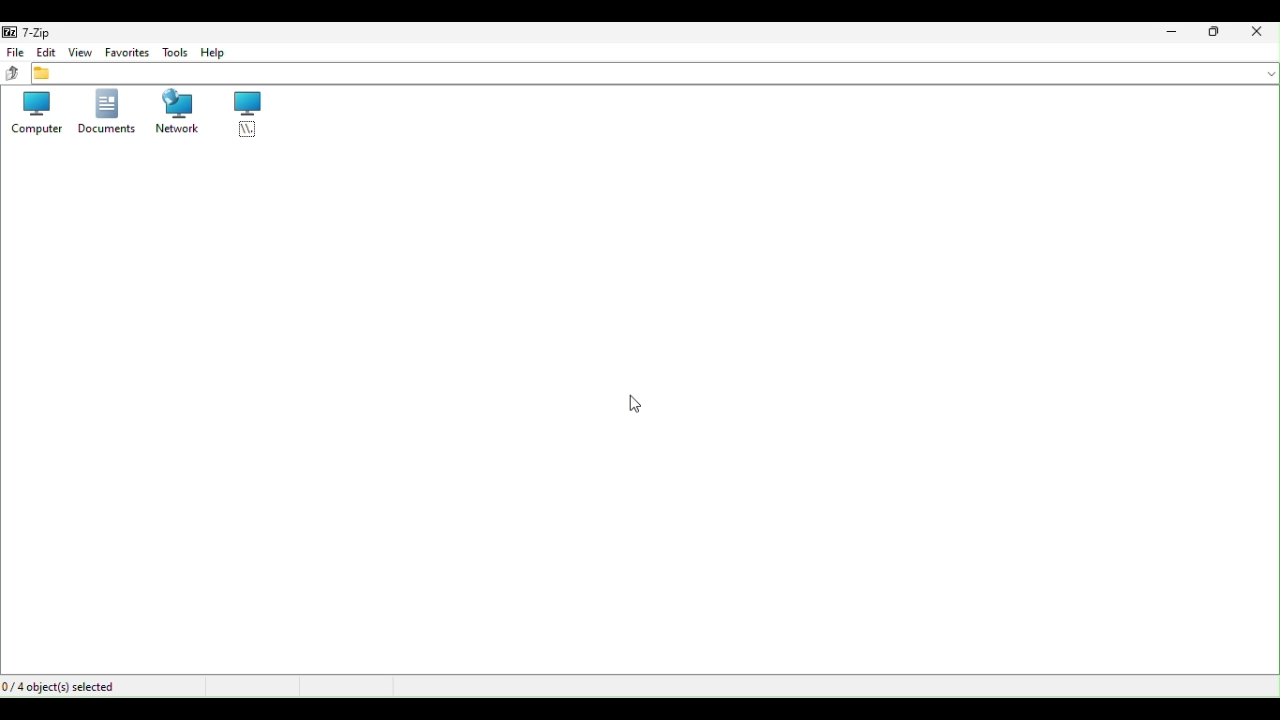 This screenshot has width=1280, height=720. I want to click on Network, so click(171, 111).